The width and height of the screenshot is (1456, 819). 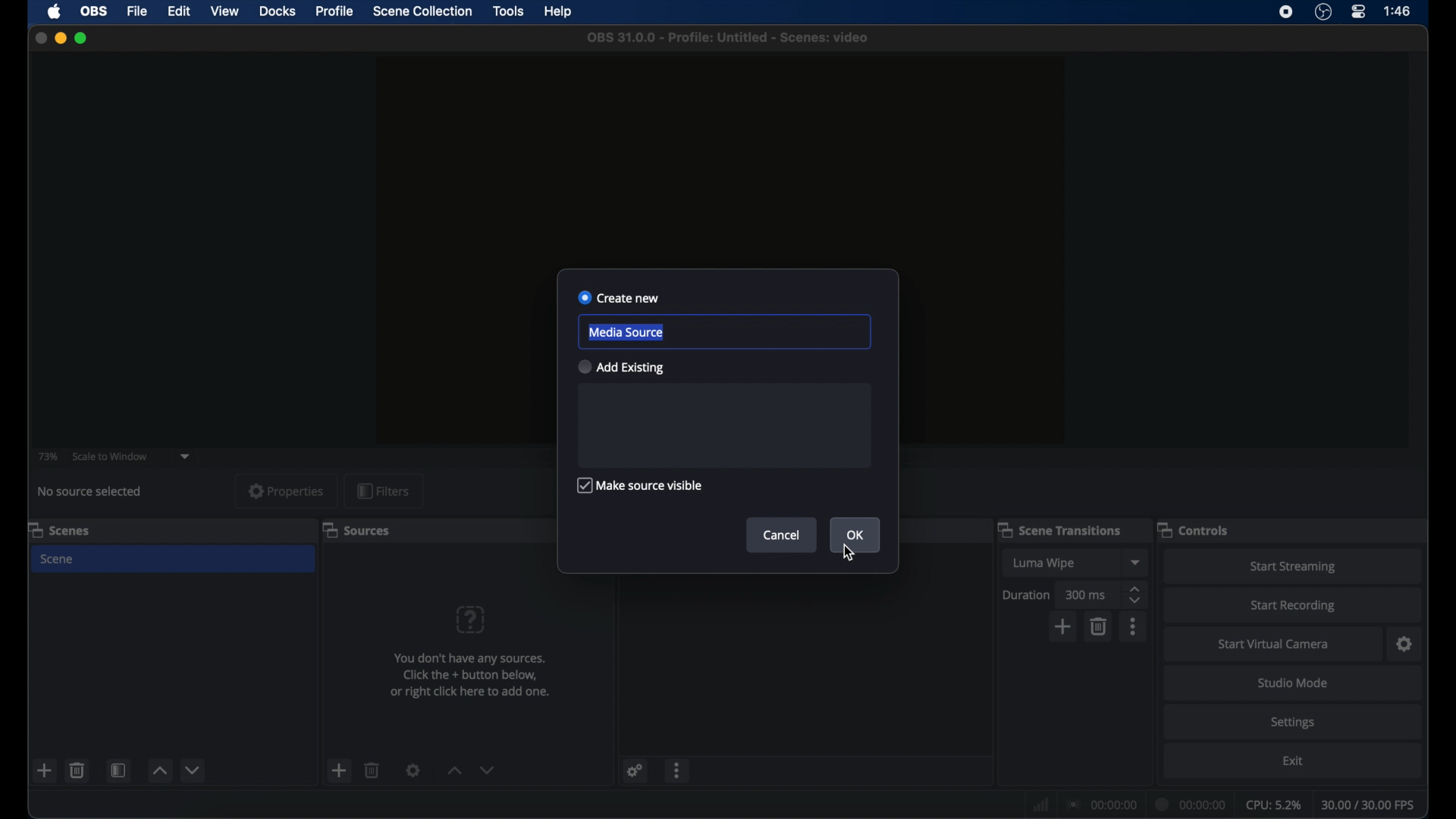 I want to click on stepper buttons, so click(x=1136, y=595).